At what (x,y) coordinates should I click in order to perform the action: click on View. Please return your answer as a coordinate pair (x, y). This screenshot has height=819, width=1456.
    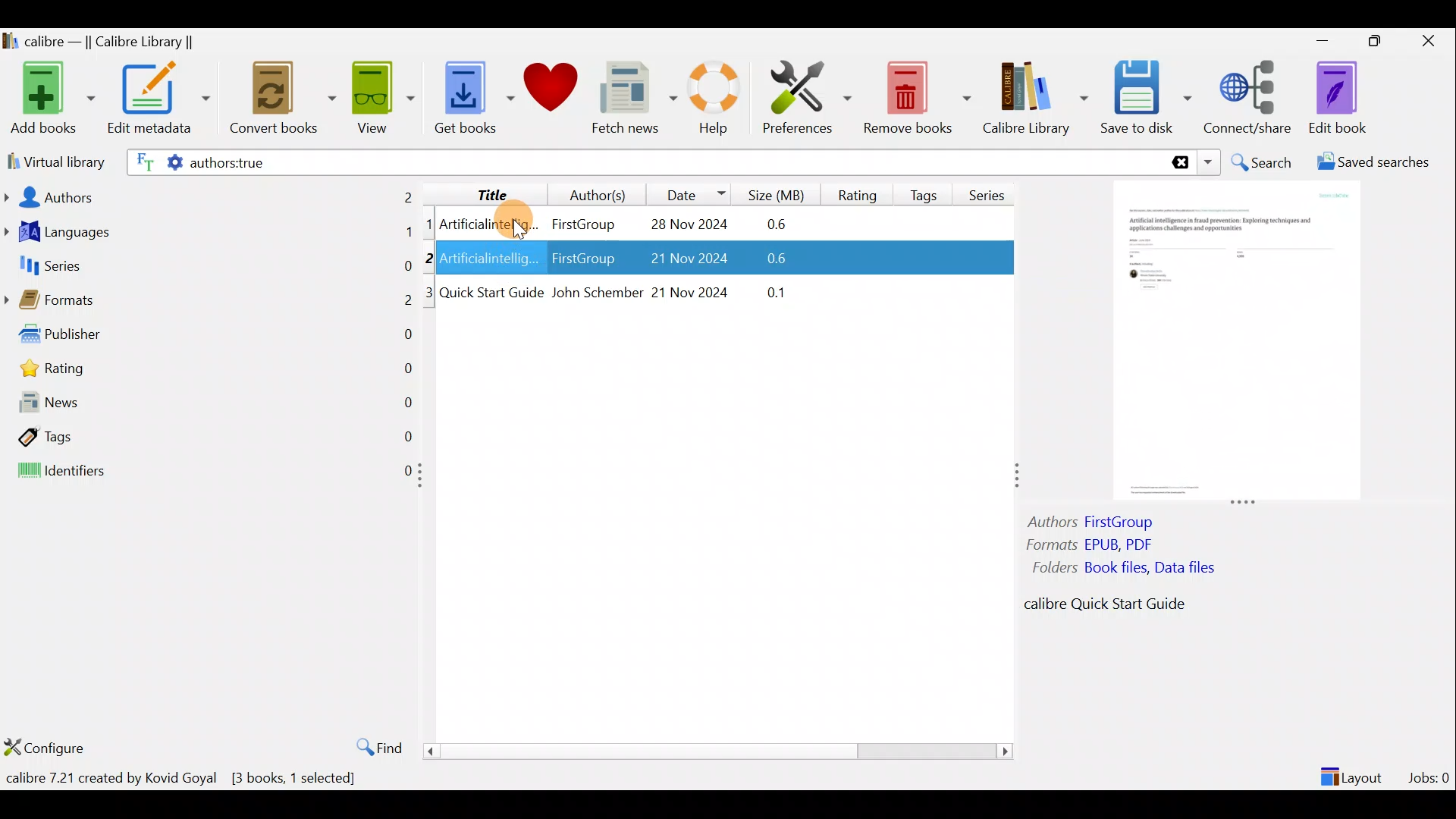
    Looking at the image, I should click on (381, 96).